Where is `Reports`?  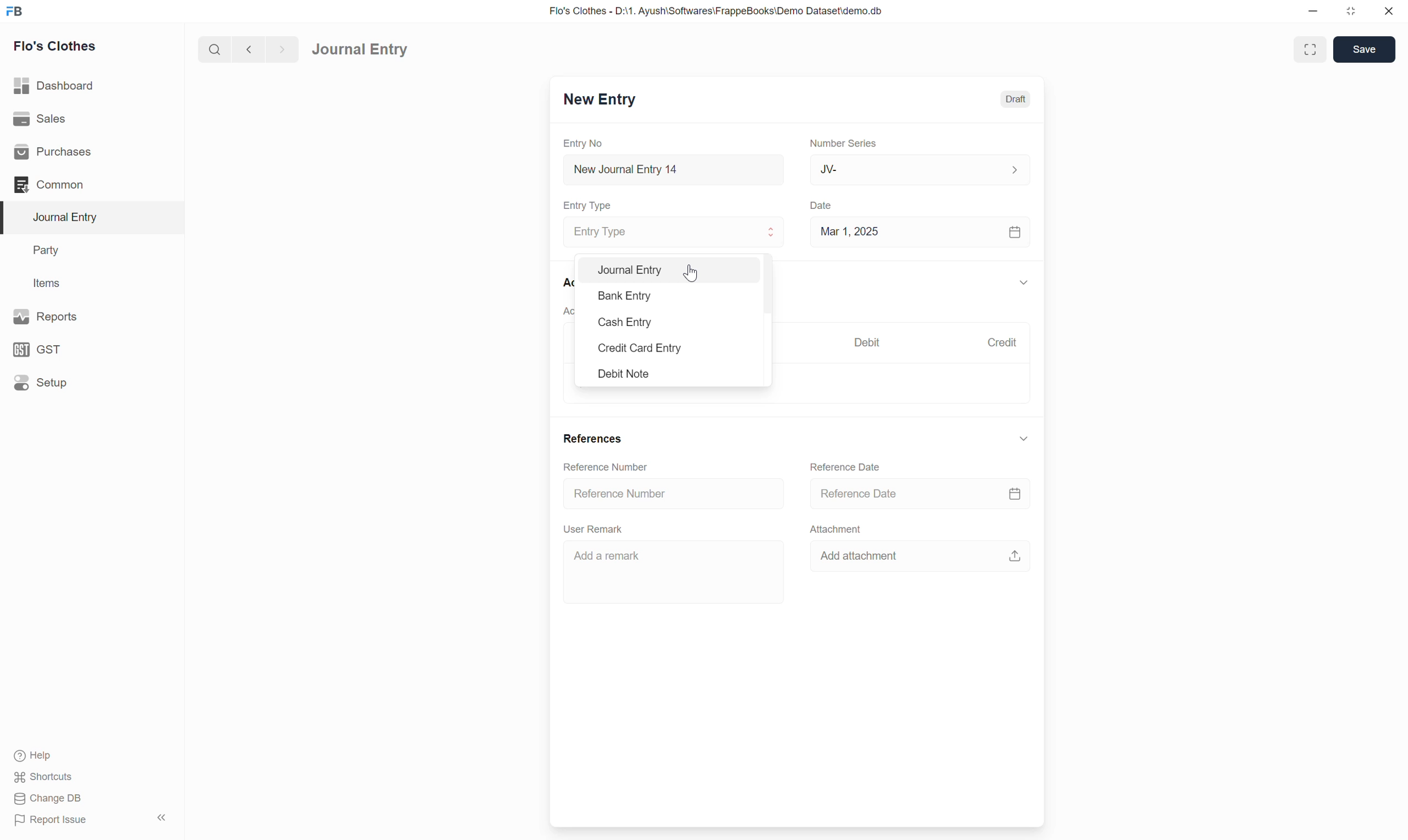
Reports is located at coordinates (49, 316).